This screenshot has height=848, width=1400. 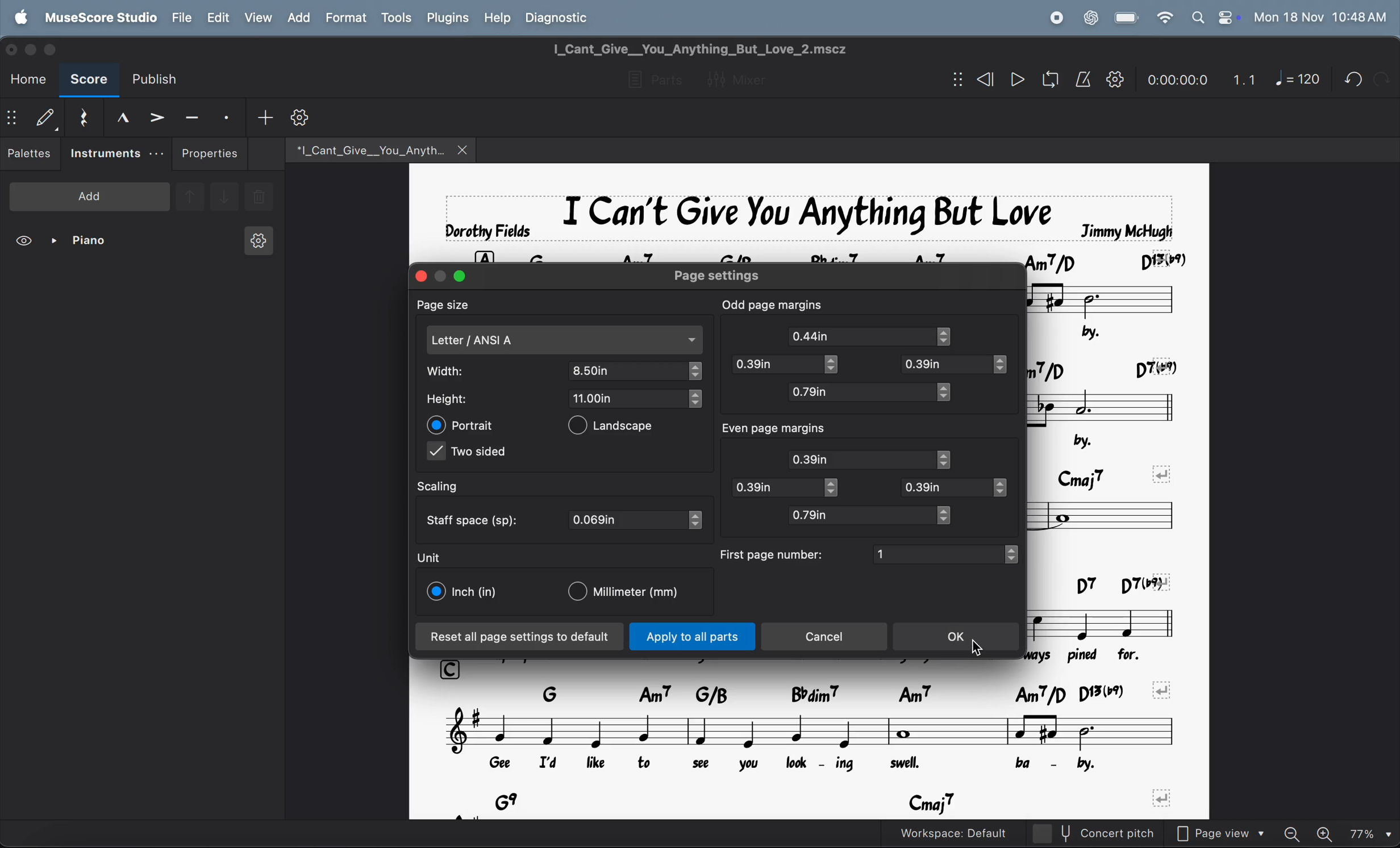 I want to click on notes, so click(x=1111, y=515).